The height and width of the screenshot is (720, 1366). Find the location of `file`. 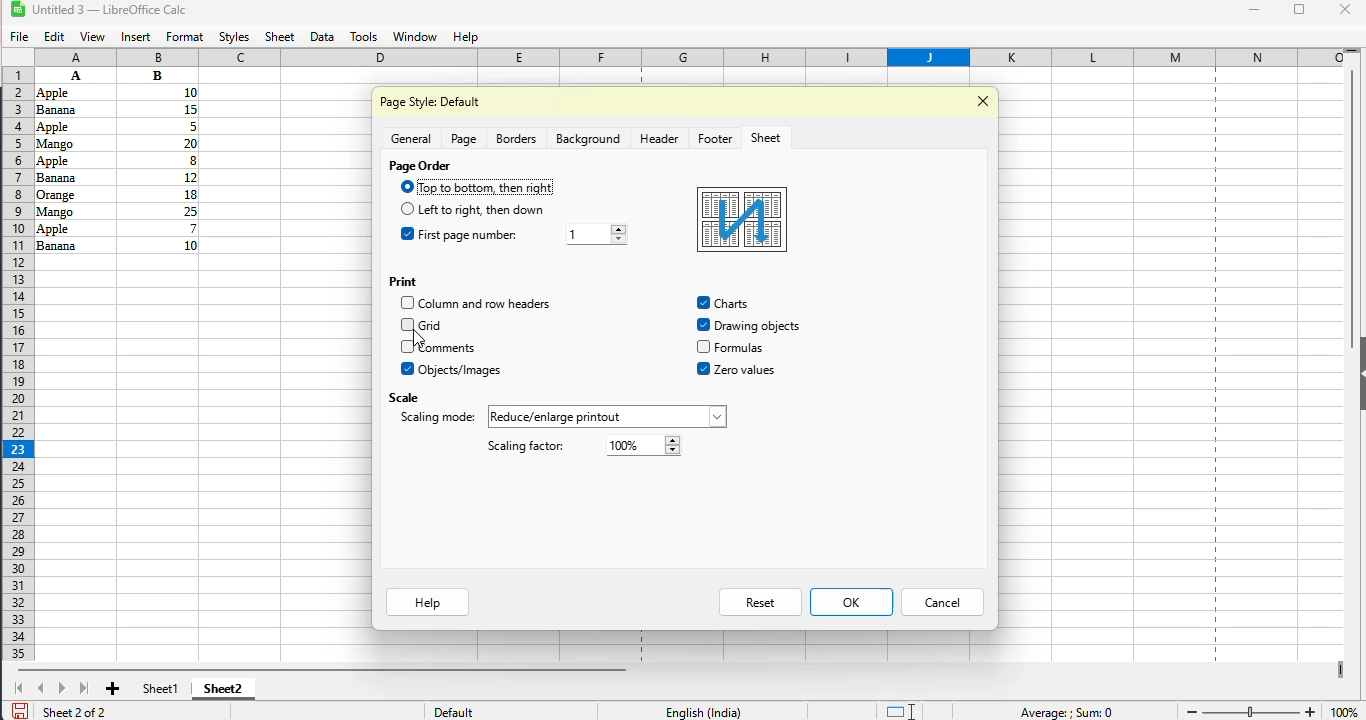

file is located at coordinates (20, 38).